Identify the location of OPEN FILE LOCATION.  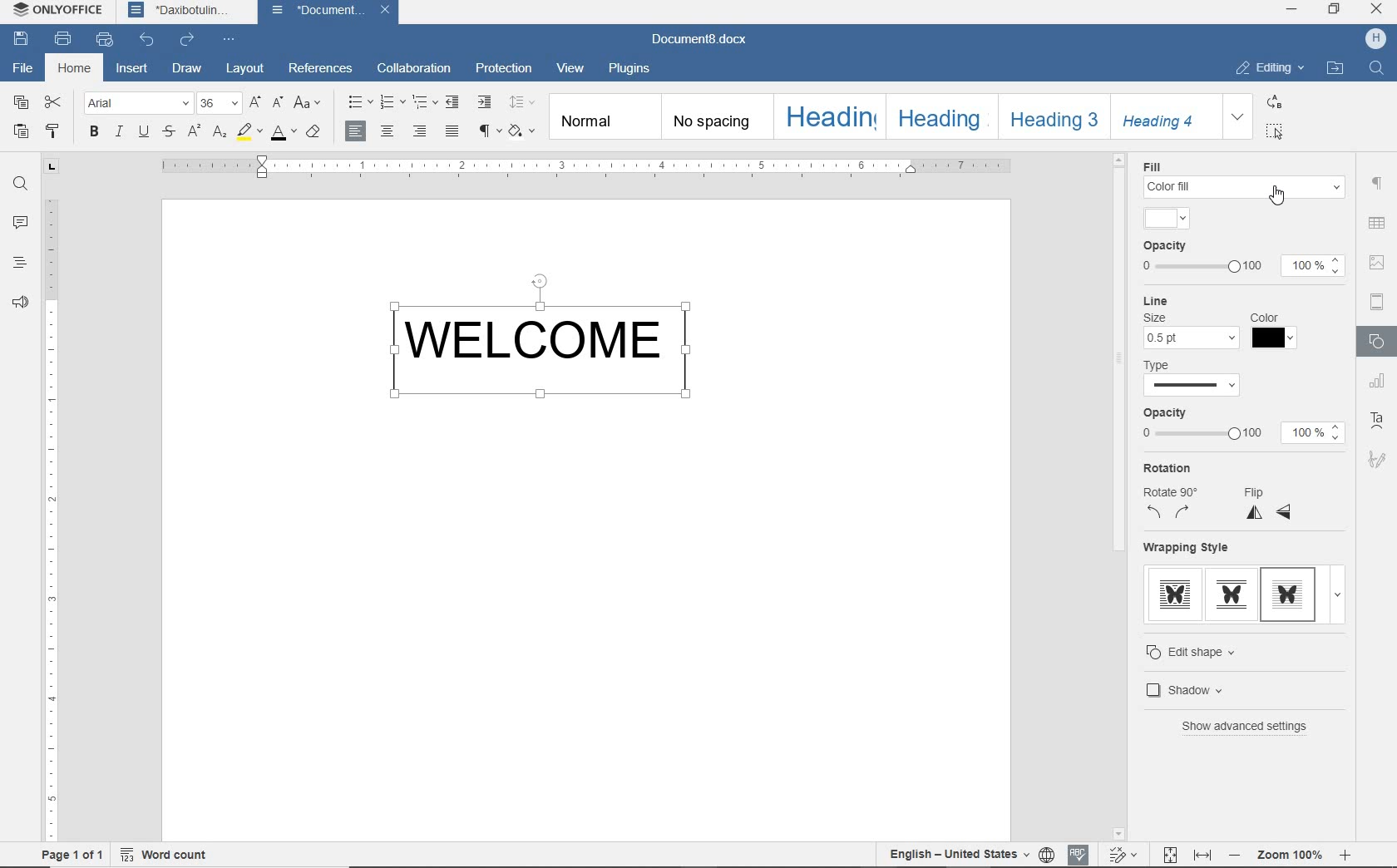
(1335, 70).